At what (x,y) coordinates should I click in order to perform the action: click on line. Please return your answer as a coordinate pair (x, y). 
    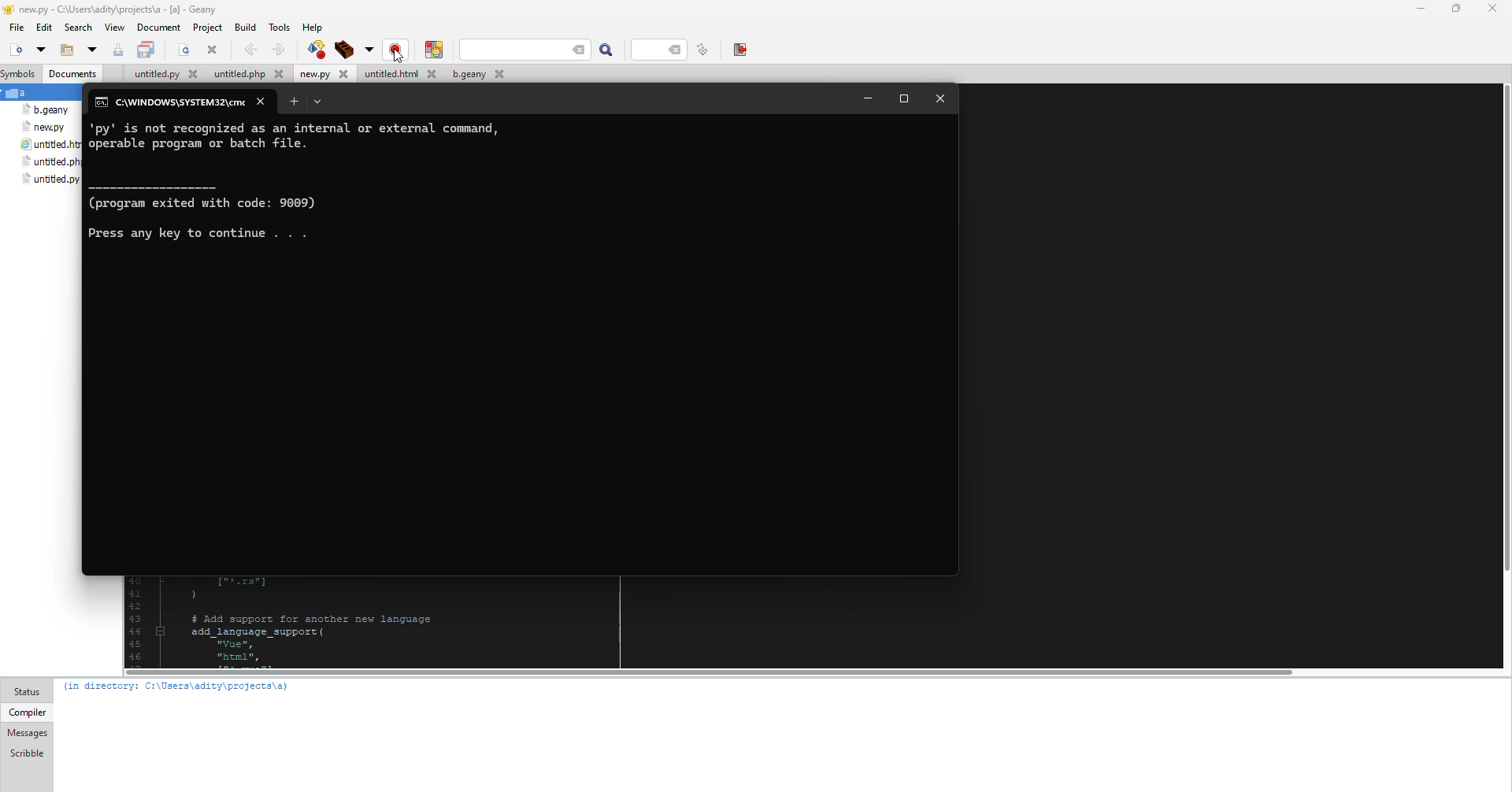
    Looking at the image, I should click on (657, 50).